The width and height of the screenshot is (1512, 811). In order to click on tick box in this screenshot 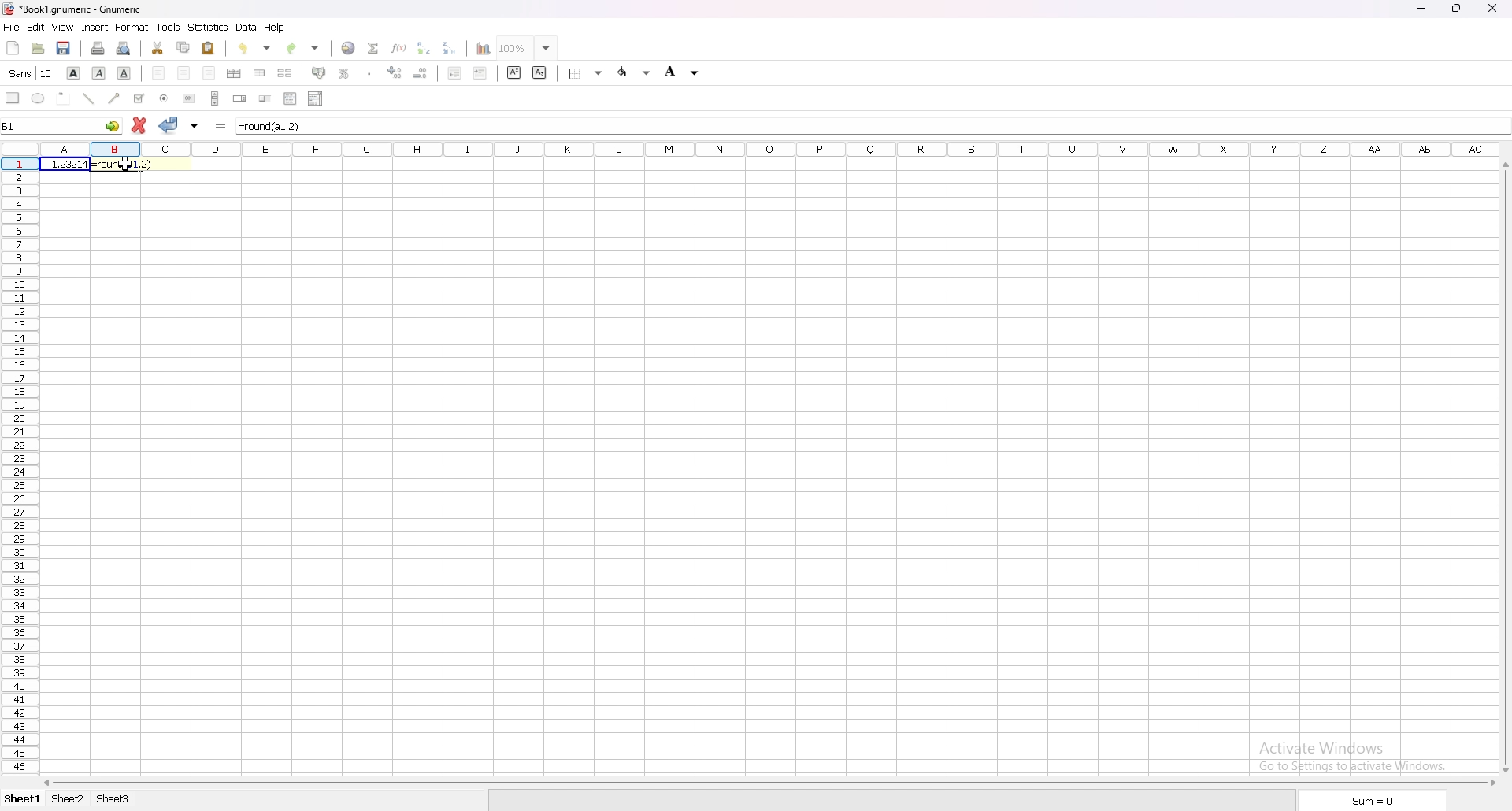, I will do `click(138, 98)`.